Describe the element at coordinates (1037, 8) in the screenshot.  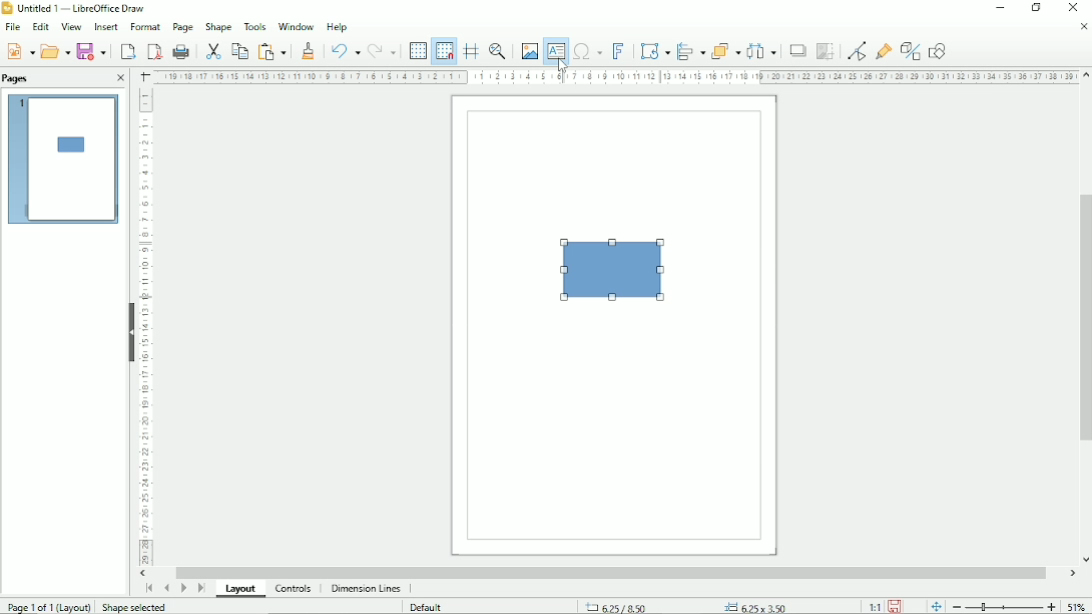
I see `Restore down` at that location.